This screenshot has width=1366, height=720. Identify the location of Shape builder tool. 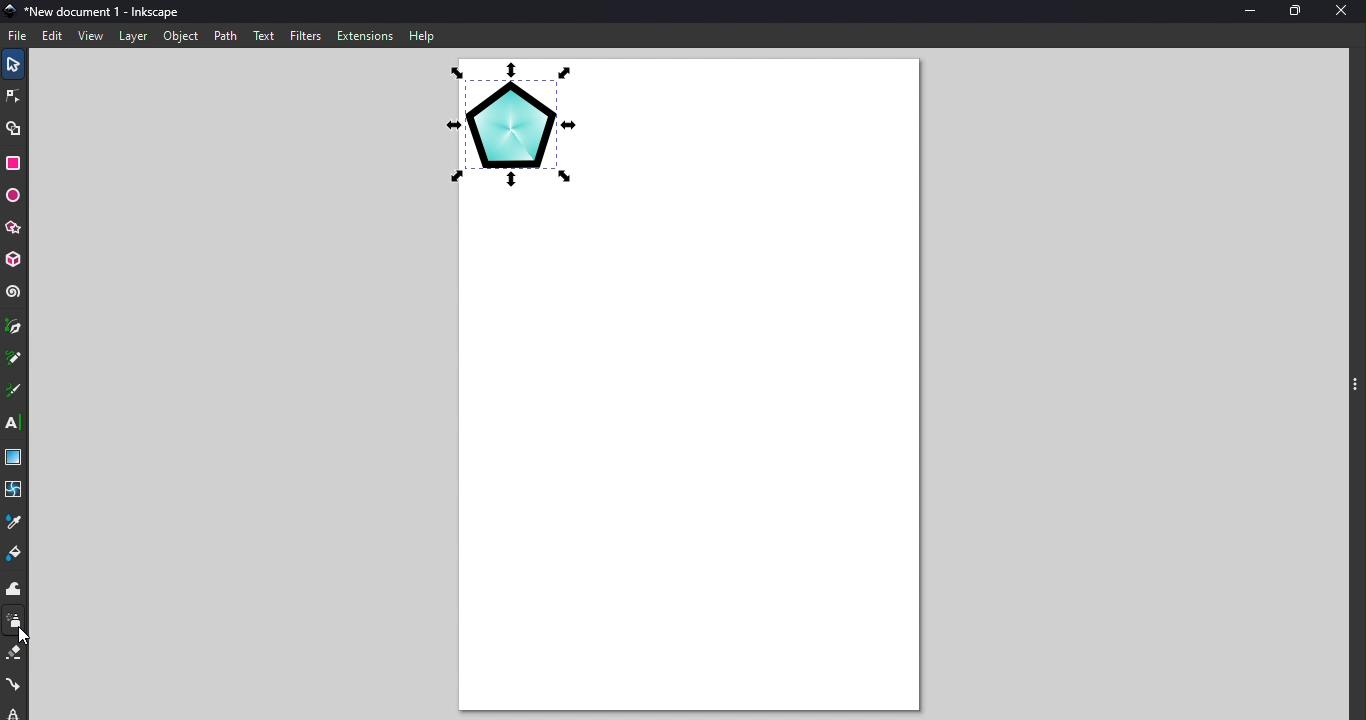
(13, 129).